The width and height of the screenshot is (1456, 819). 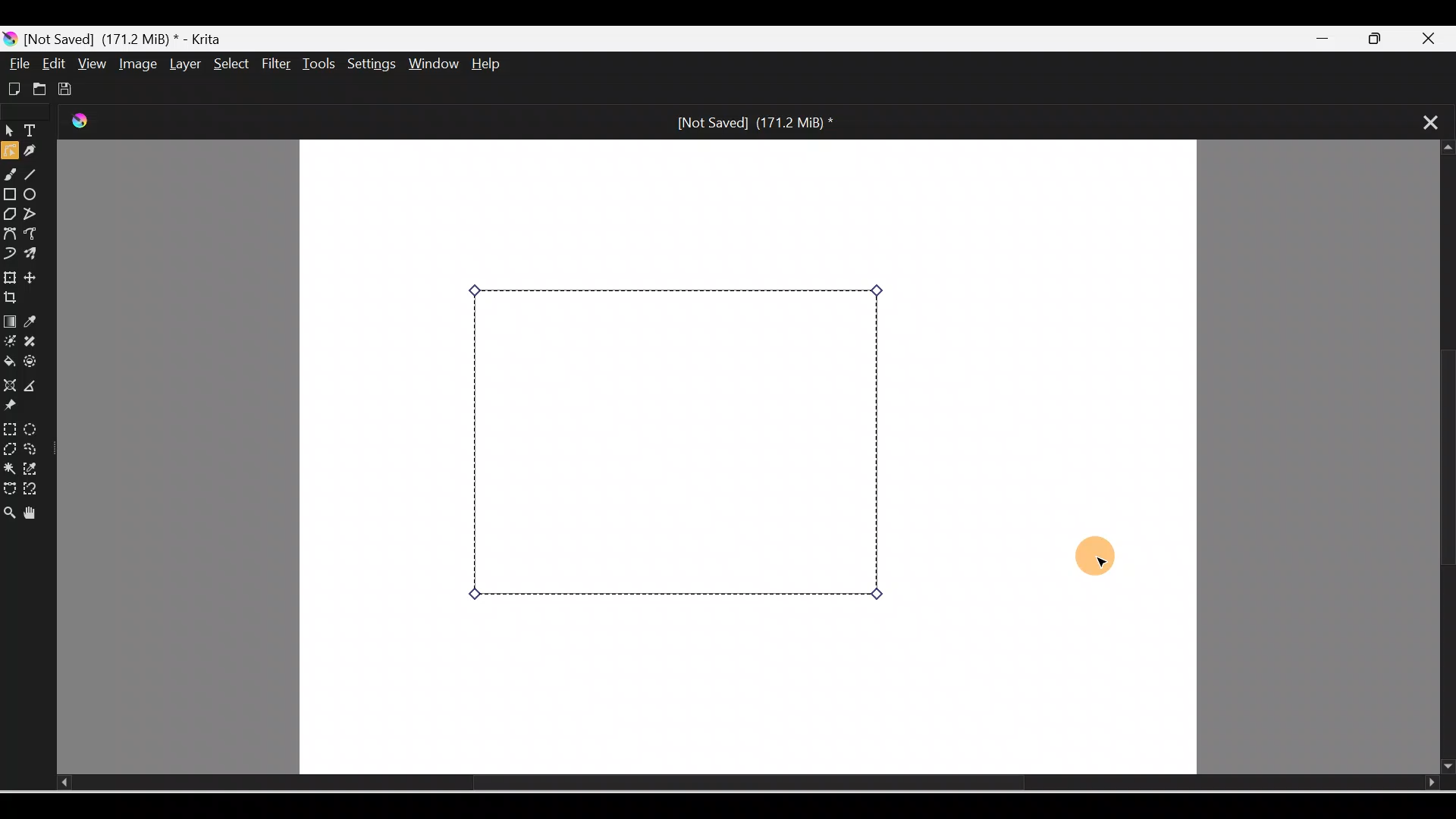 What do you see at coordinates (10, 447) in the screenshot?
I see `Polygonal selection tool` at bounding box center [10, 447].